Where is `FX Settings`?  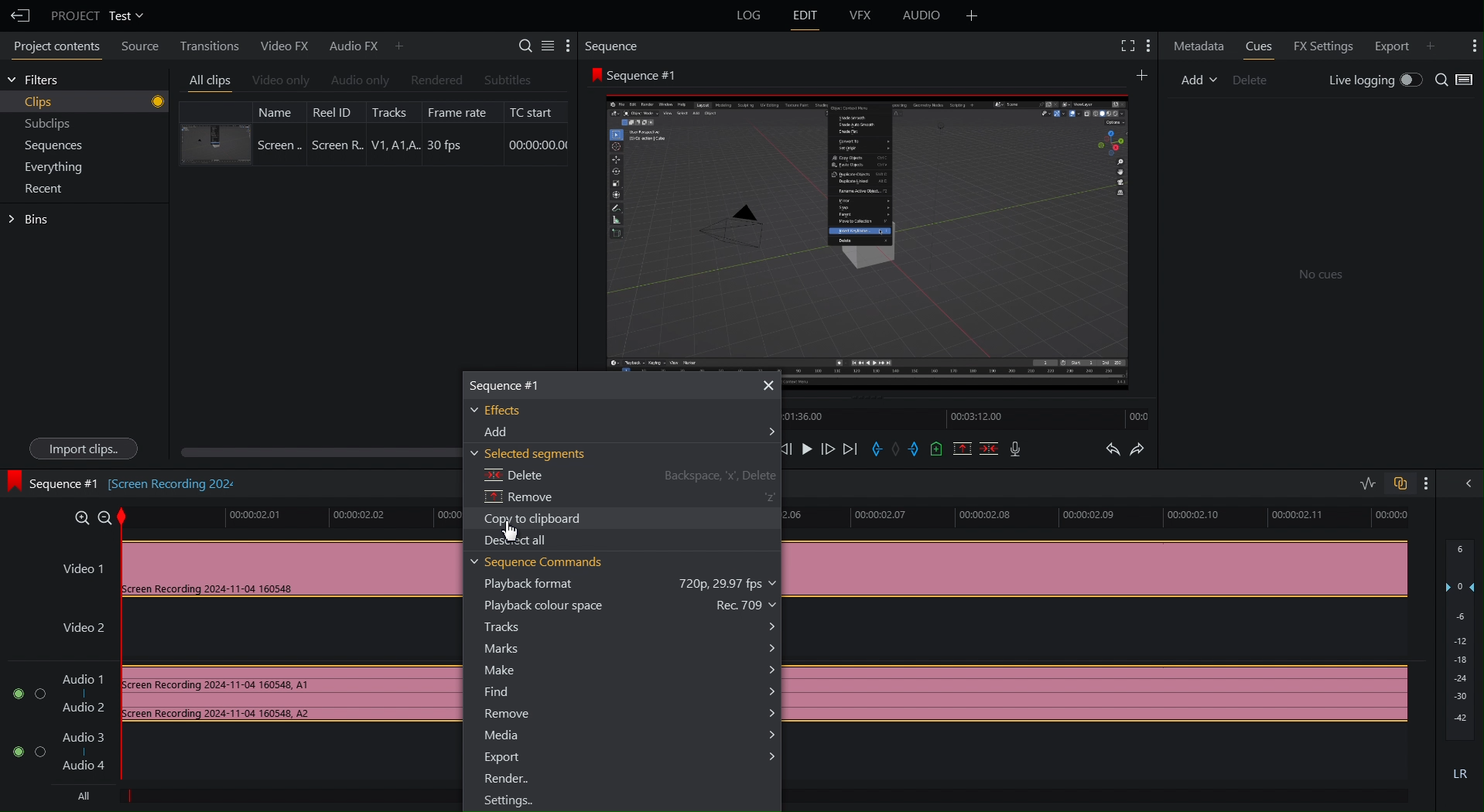 FX Settings is located at coordinates (1322, 46).